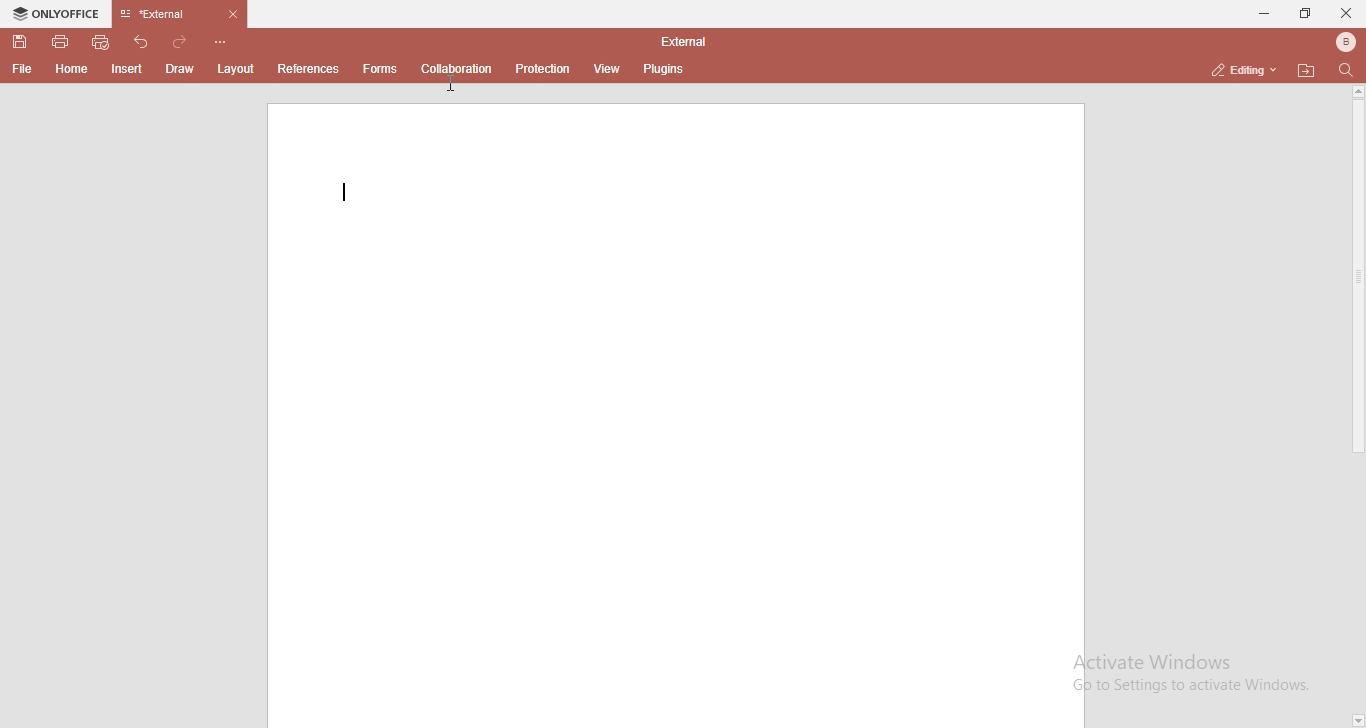  What do you see at coordinates (1261, 13) in the screenshot?
I see `minimise` at bounding box center [1261, 13].